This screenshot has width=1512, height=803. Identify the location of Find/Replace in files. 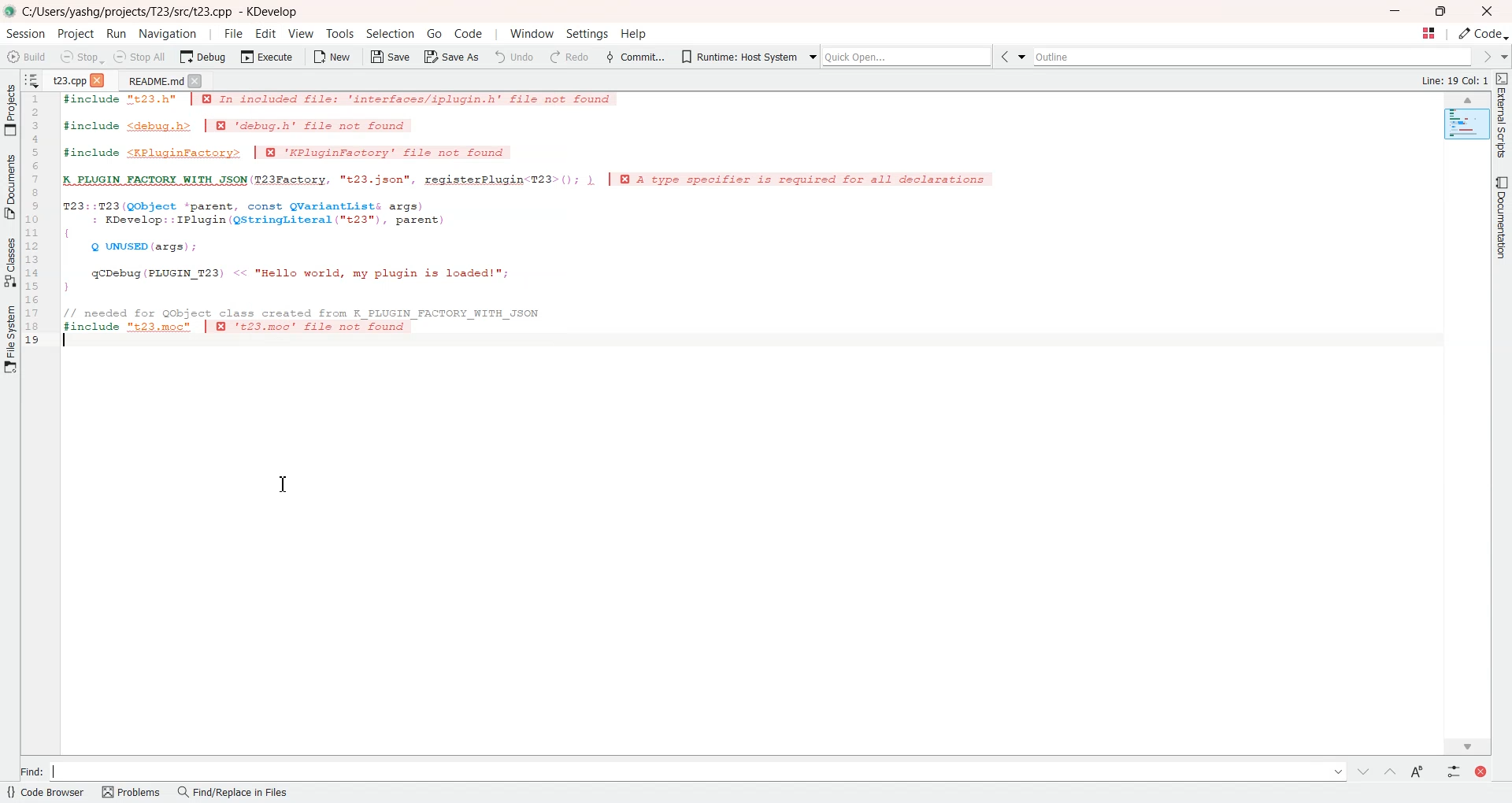
(234, 794).